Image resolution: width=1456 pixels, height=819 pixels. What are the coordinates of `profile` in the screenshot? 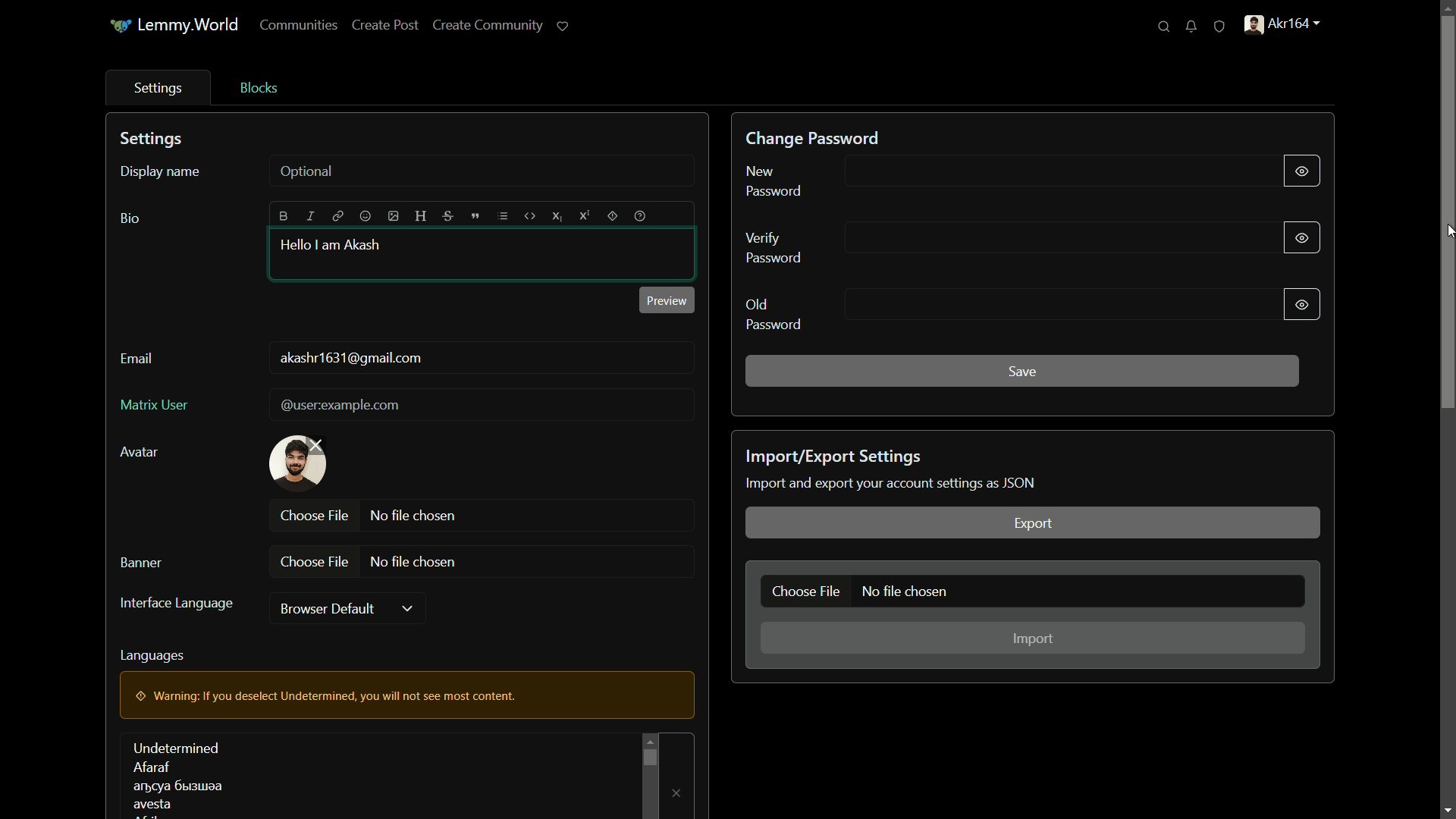 It's located at (1284, 25).